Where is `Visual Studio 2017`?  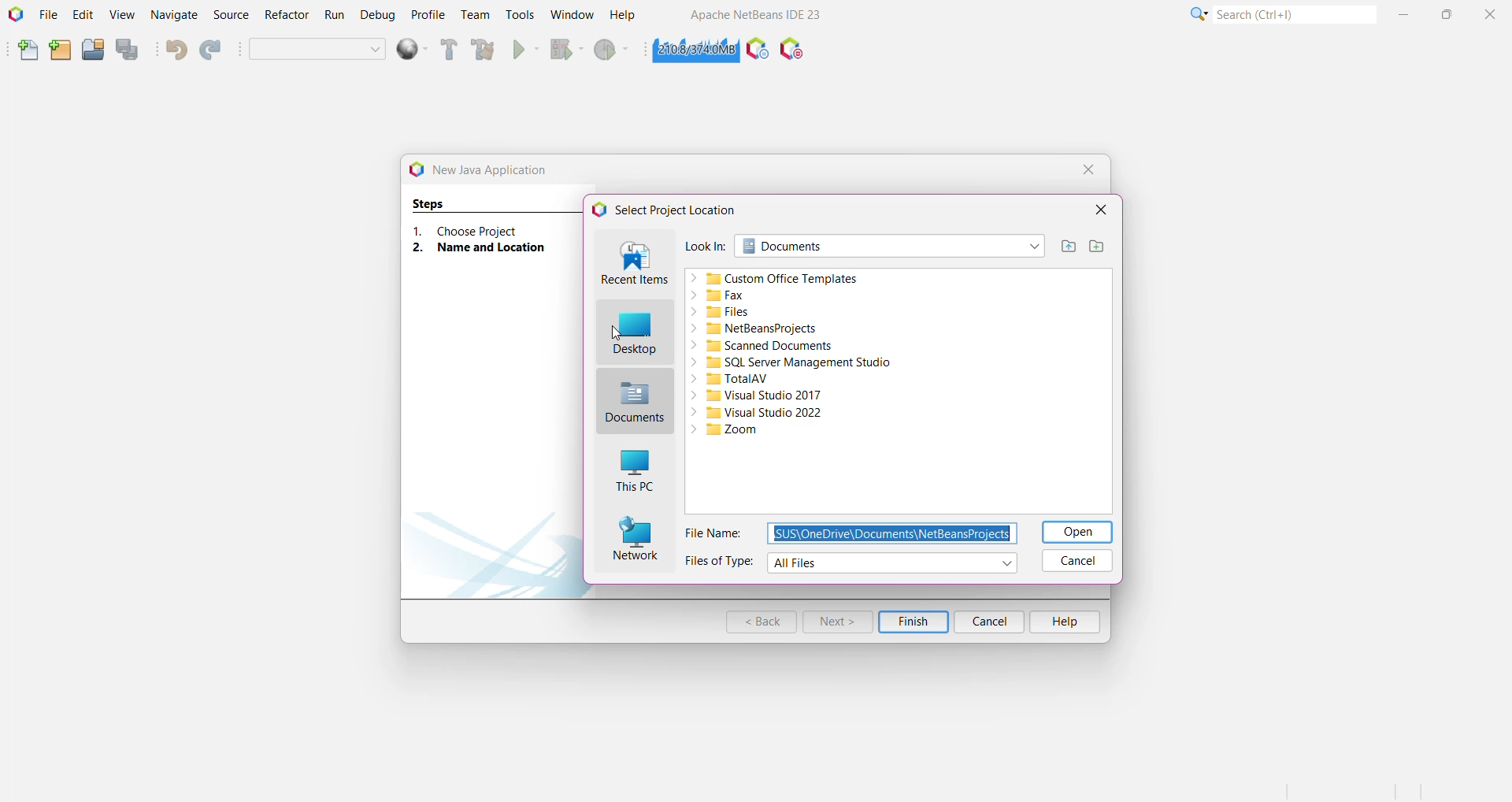
Visual Studio 2017 is located at coordinates (891, 395).